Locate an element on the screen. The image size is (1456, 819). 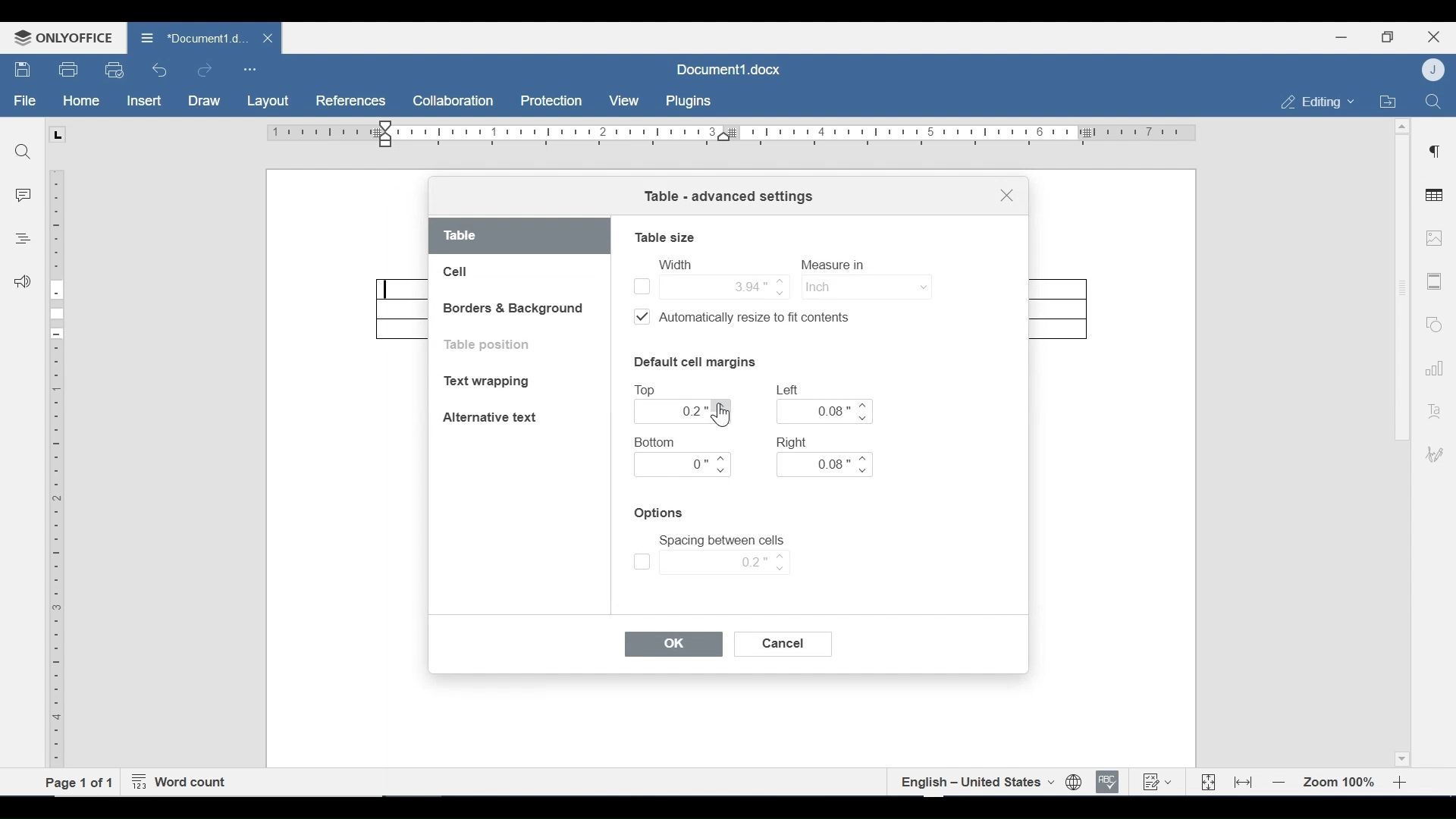
Table size is located at coordinates (665, 237).